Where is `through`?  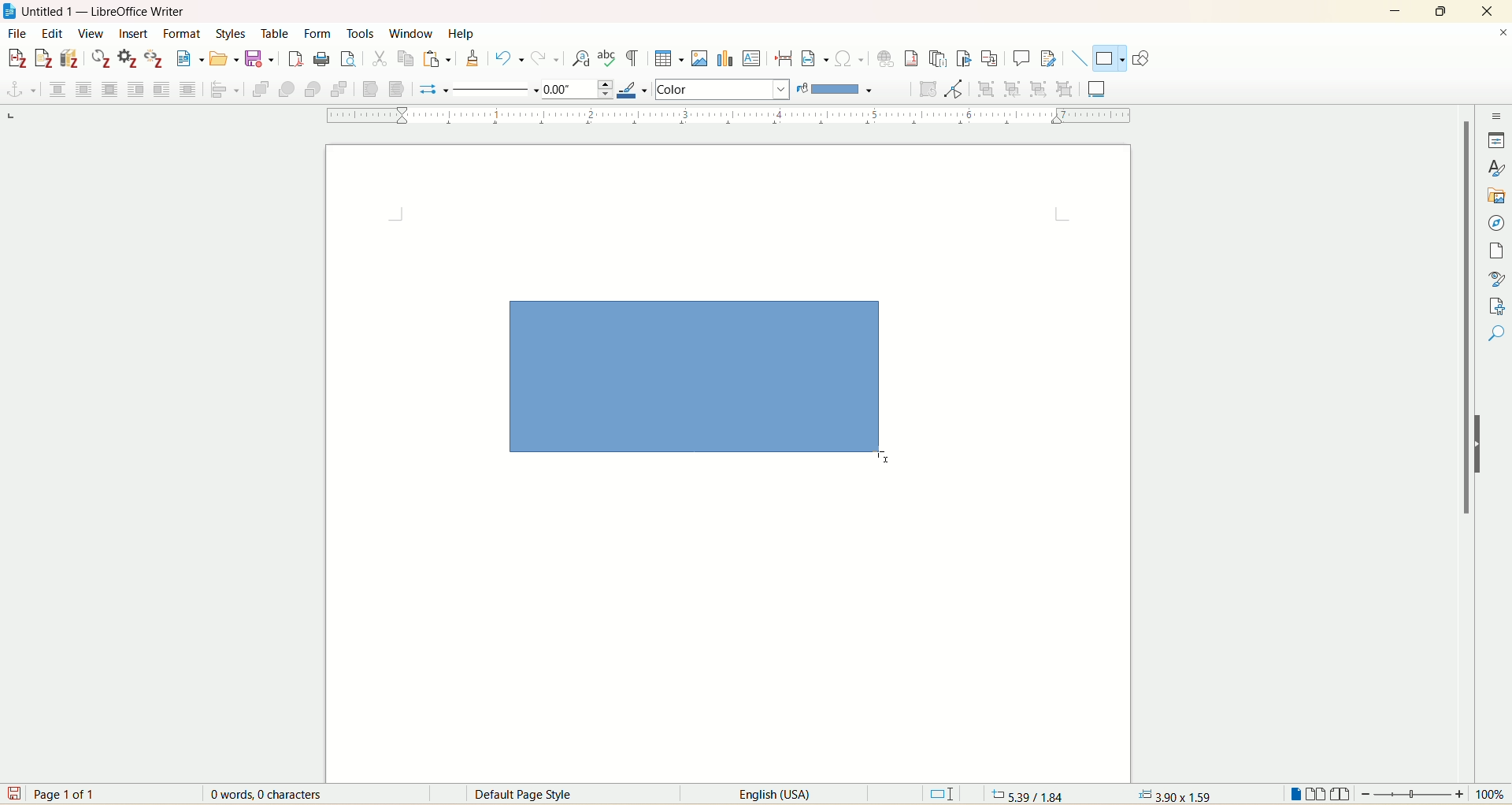
through is located at coordinates (188, 88).